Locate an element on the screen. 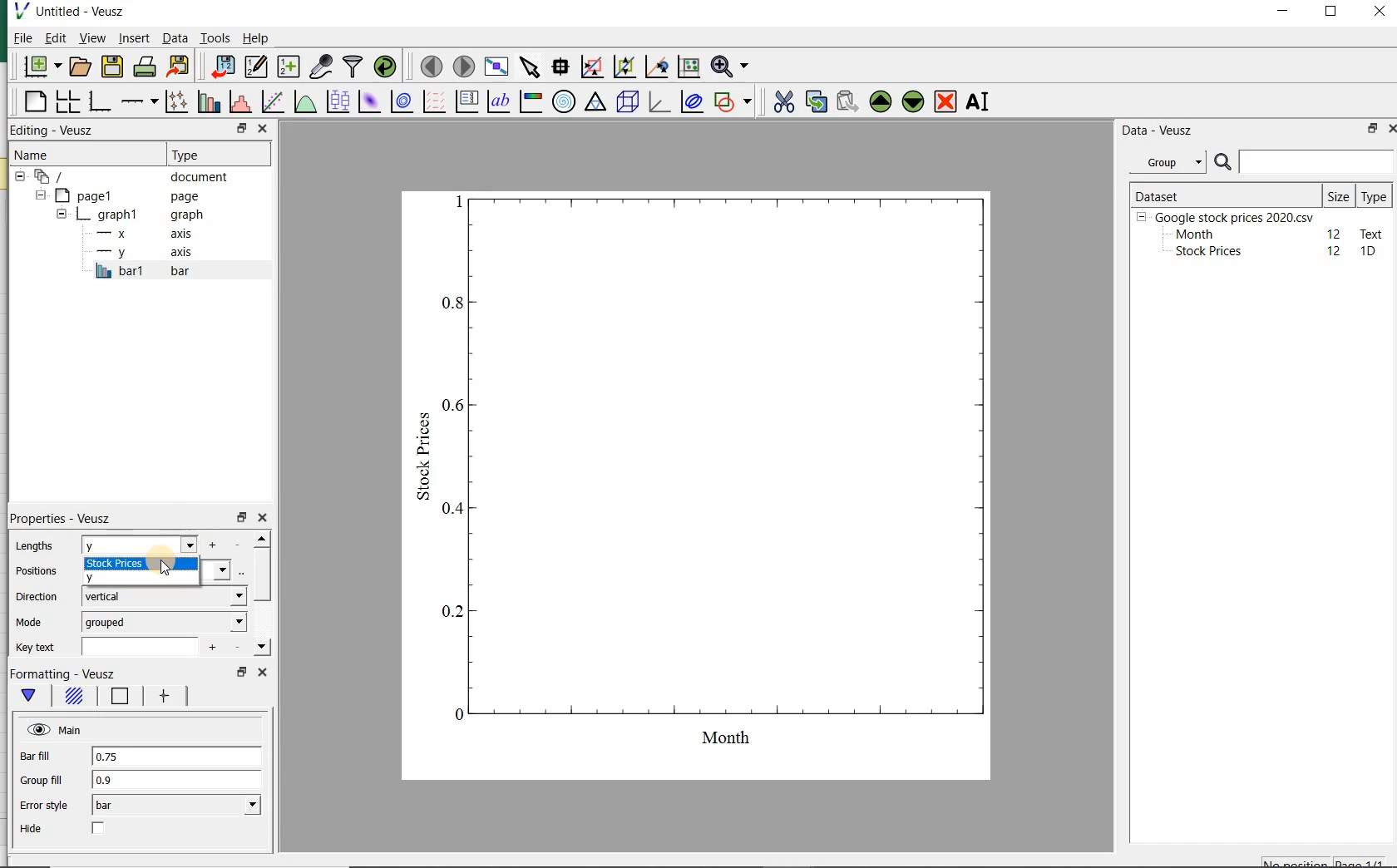 This screenshot has width=1397, height=868. plot points with lines and errorbars is located at coordinates (173, 103).